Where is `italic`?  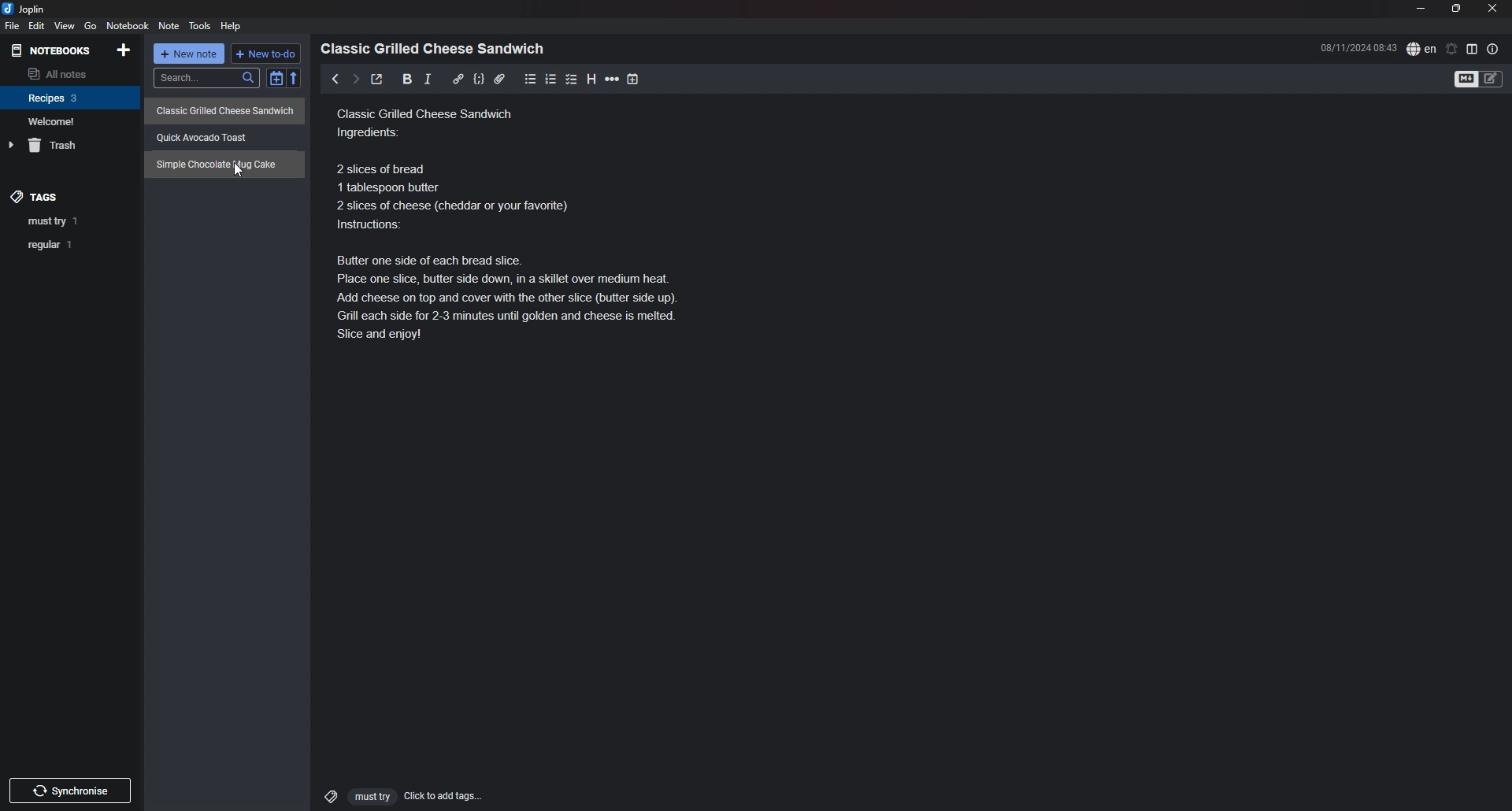 italic is located at coordinates (428, 79).